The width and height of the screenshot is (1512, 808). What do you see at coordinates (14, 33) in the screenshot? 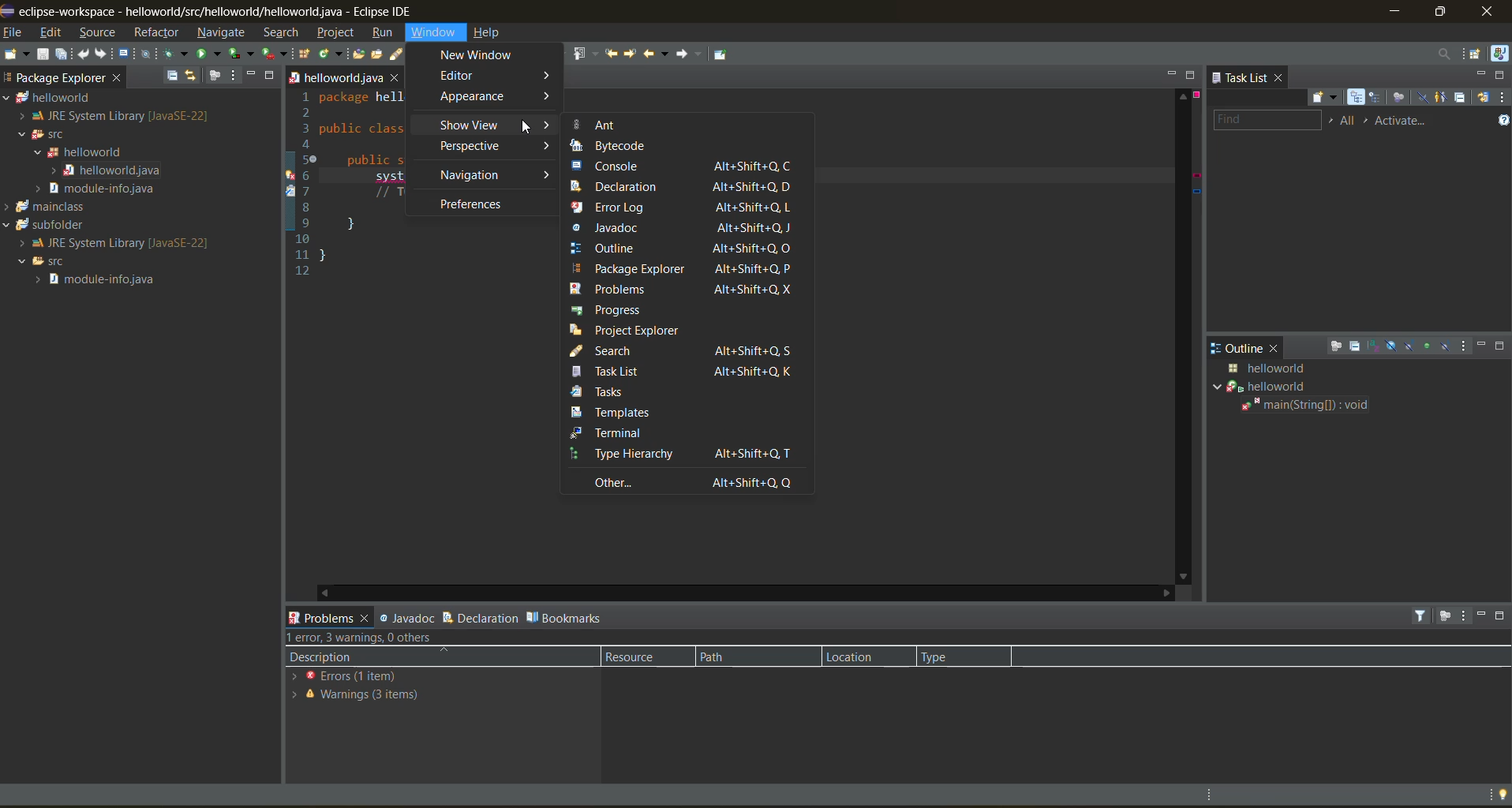
I see `file` at bounding box center [14, 33].